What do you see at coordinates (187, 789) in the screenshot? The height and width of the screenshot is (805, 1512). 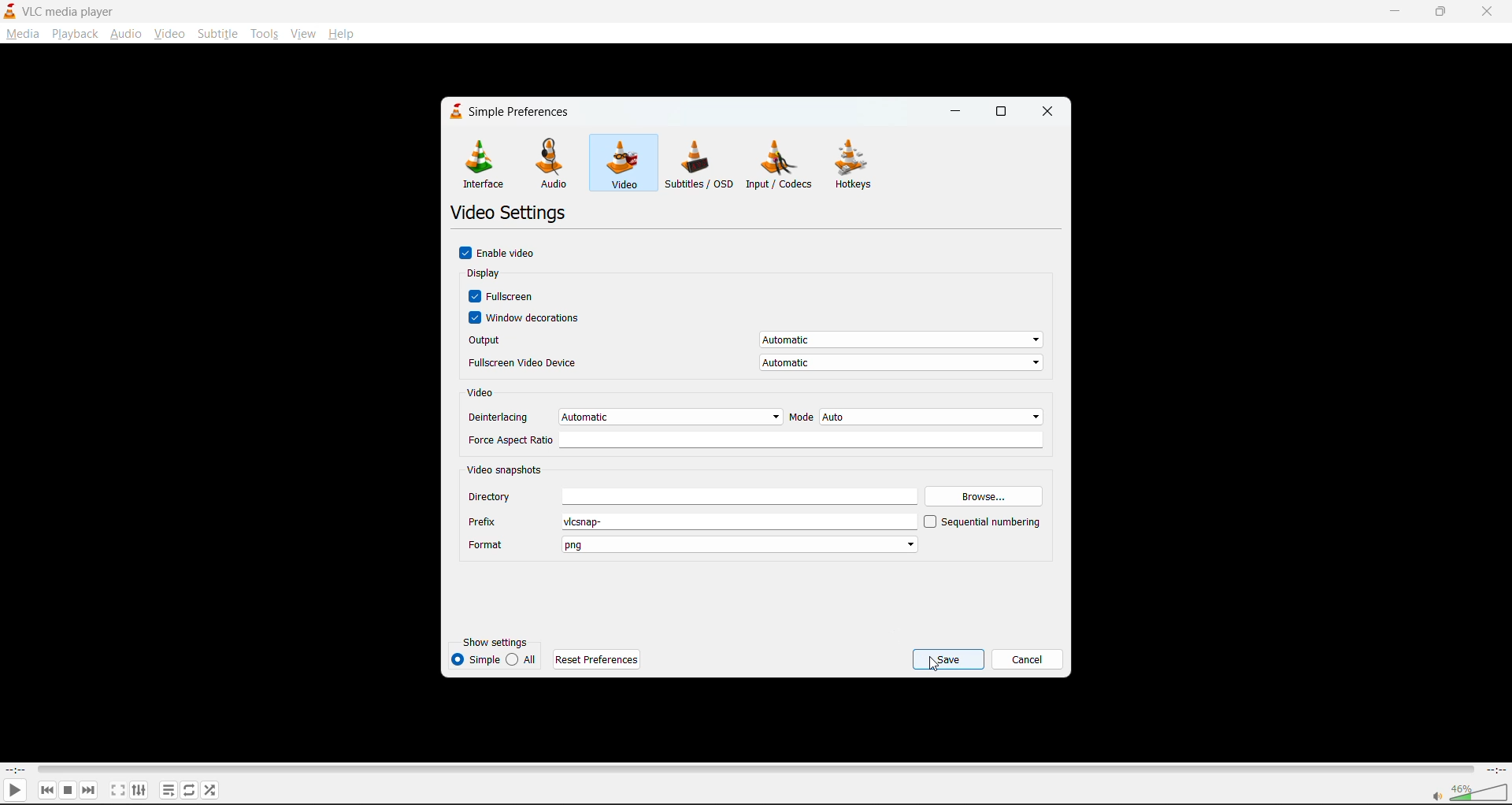 I see `loop` at bounding box center [187, 789].